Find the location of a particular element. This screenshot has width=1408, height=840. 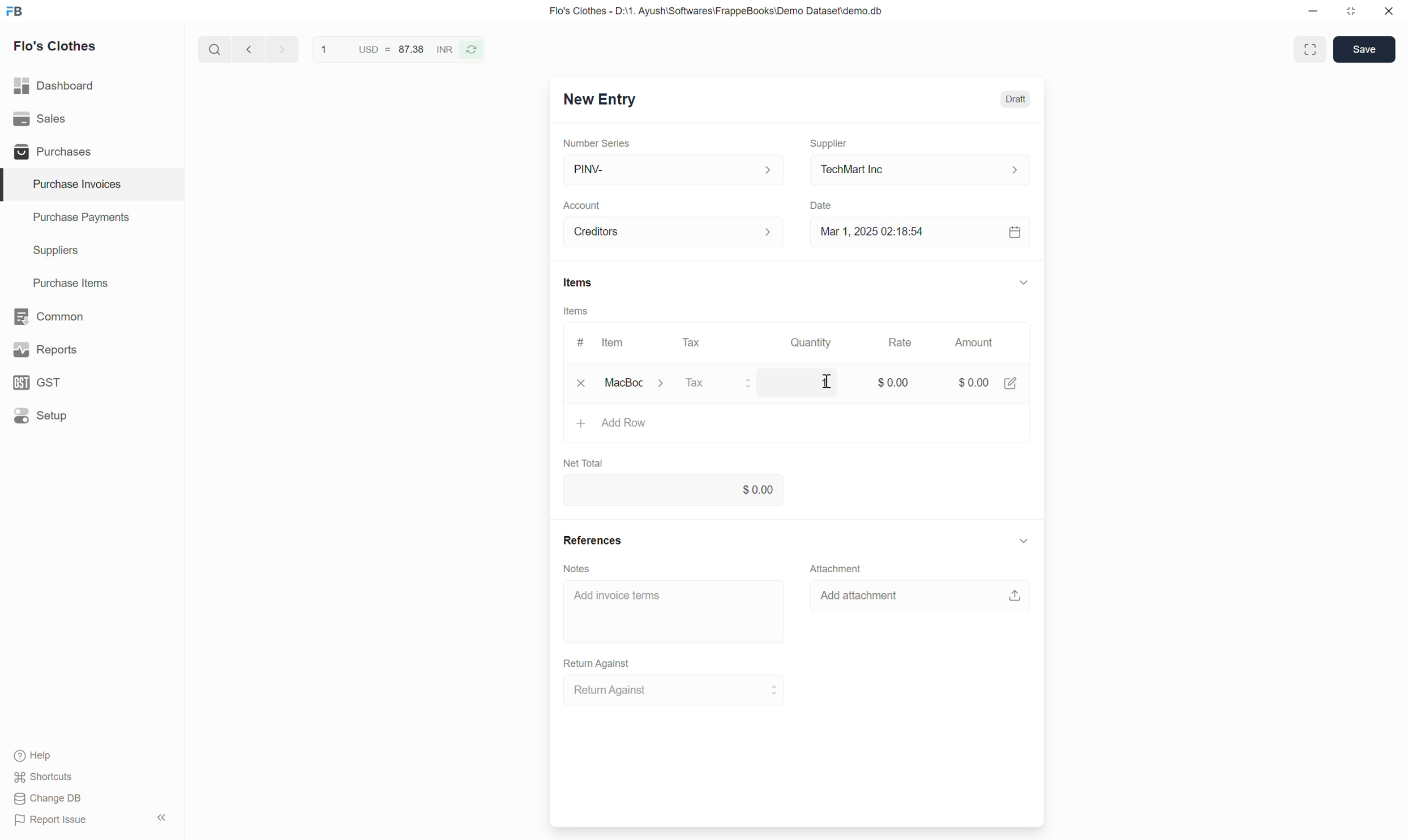

Suppliers is located at coordinates (92, 251).